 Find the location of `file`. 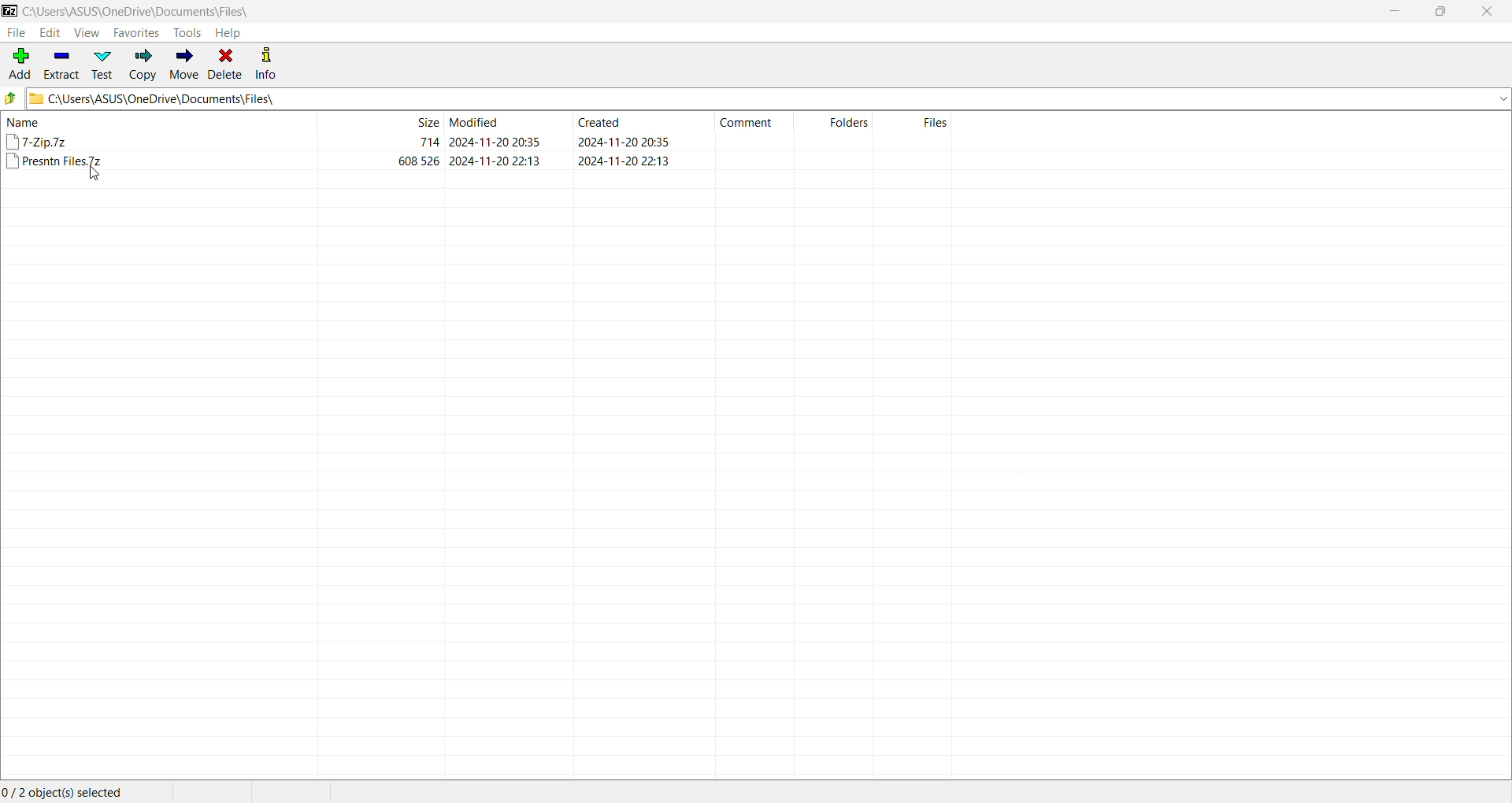

file is located at coordinates (55, 161).